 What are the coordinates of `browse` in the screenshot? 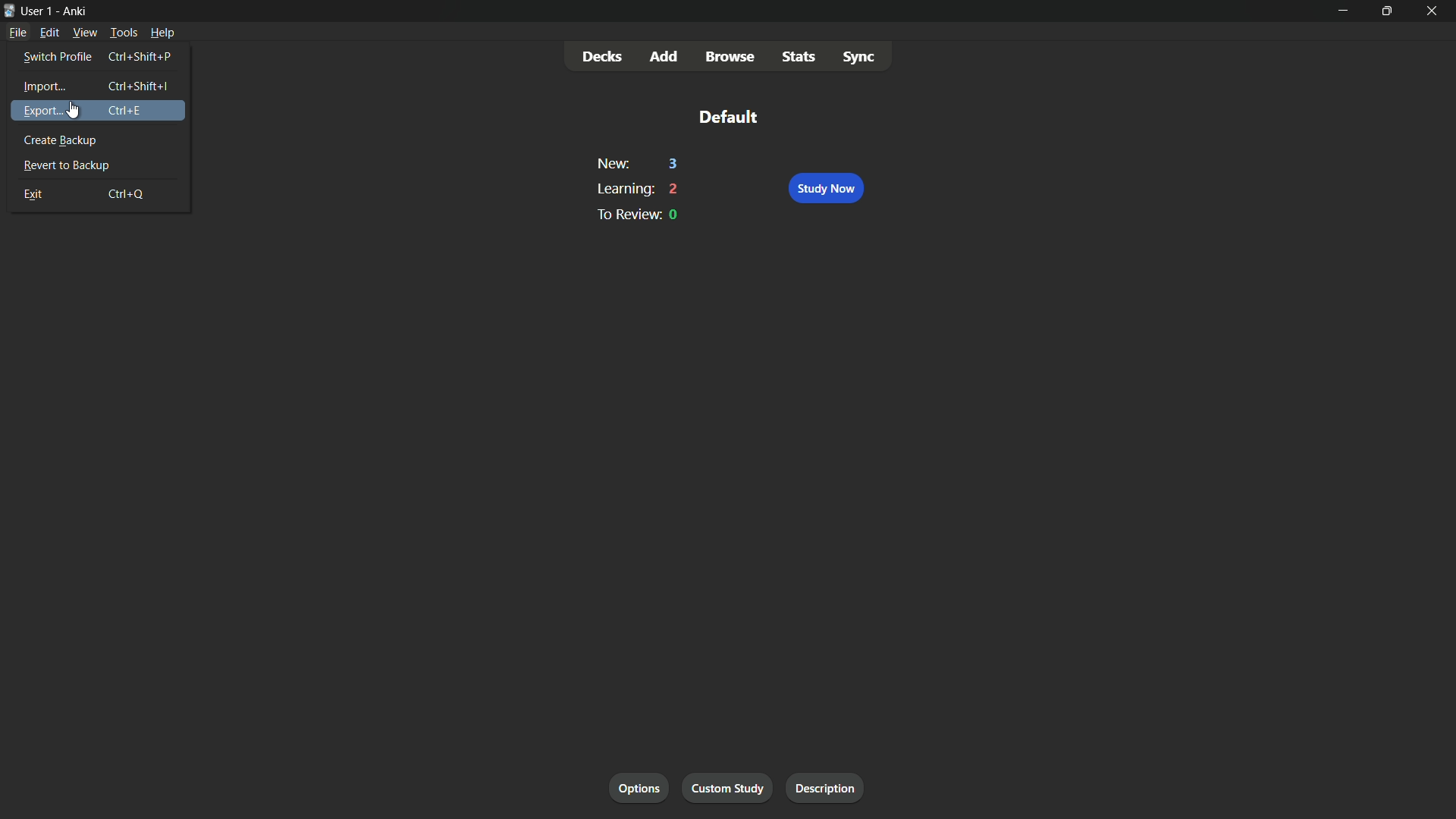 It's located at (730, 58).